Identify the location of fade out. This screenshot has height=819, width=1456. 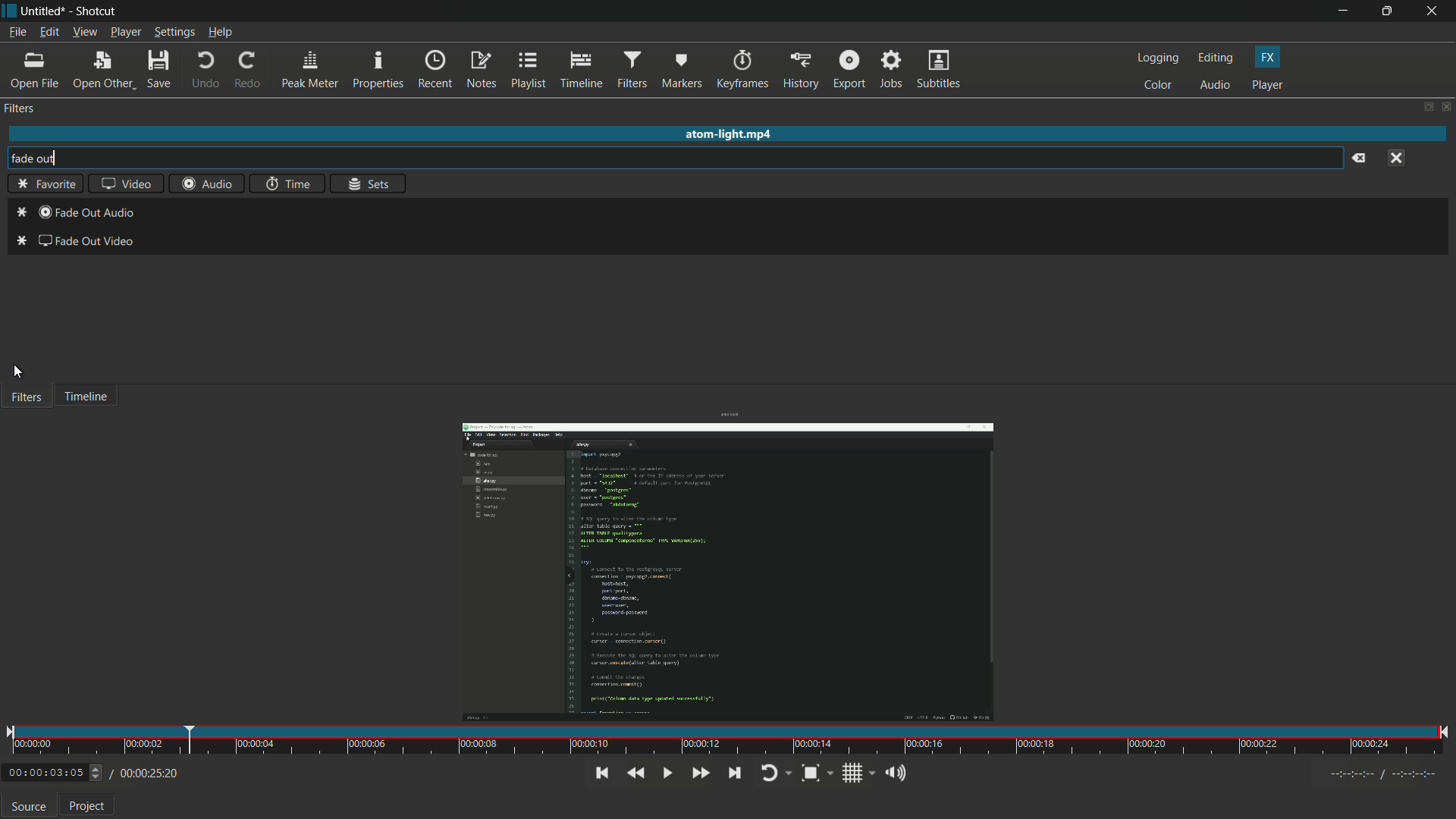
(24, 158).